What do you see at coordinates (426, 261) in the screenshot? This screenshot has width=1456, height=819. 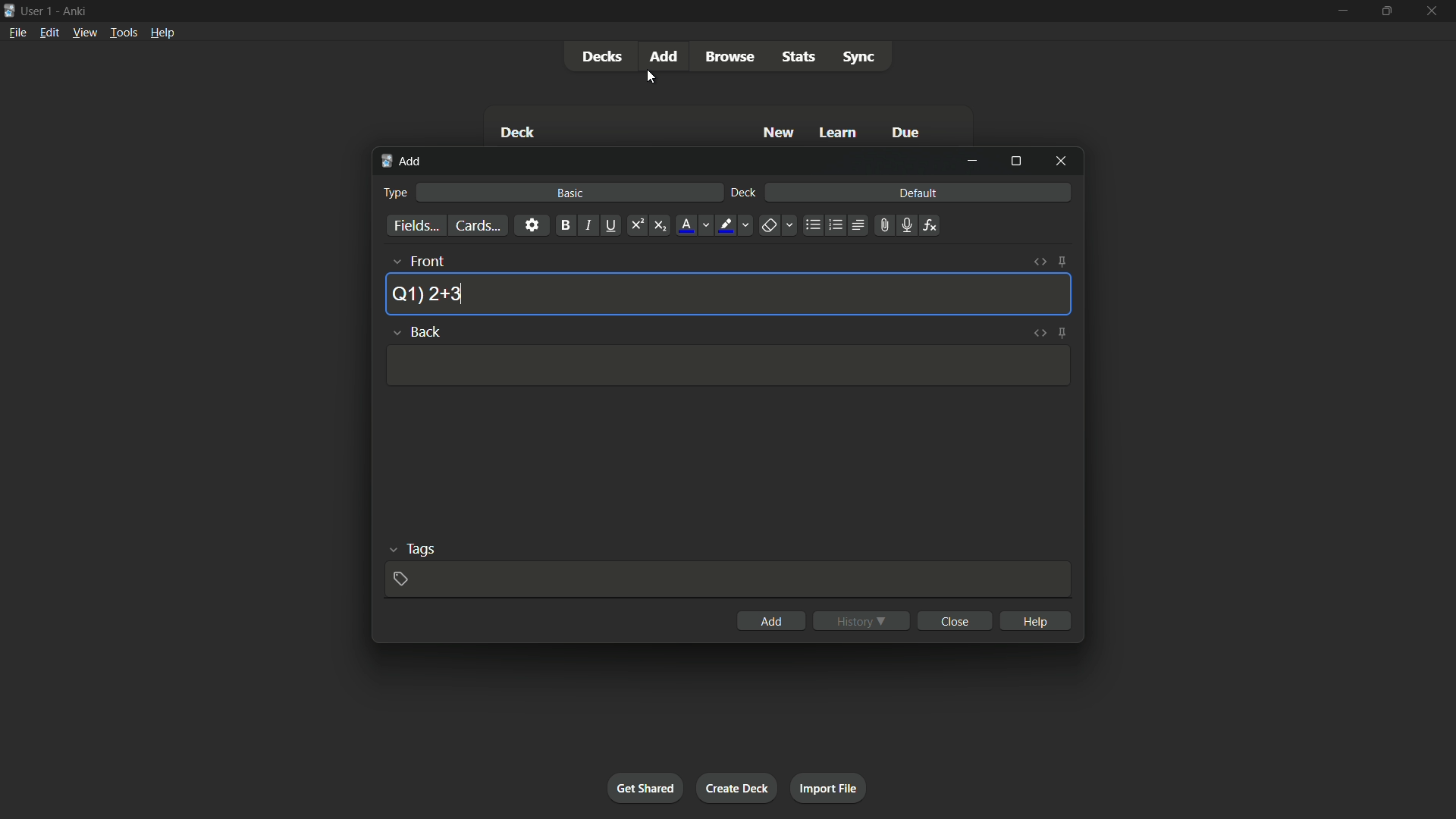 I see `front` at bounding box center [426, 261].